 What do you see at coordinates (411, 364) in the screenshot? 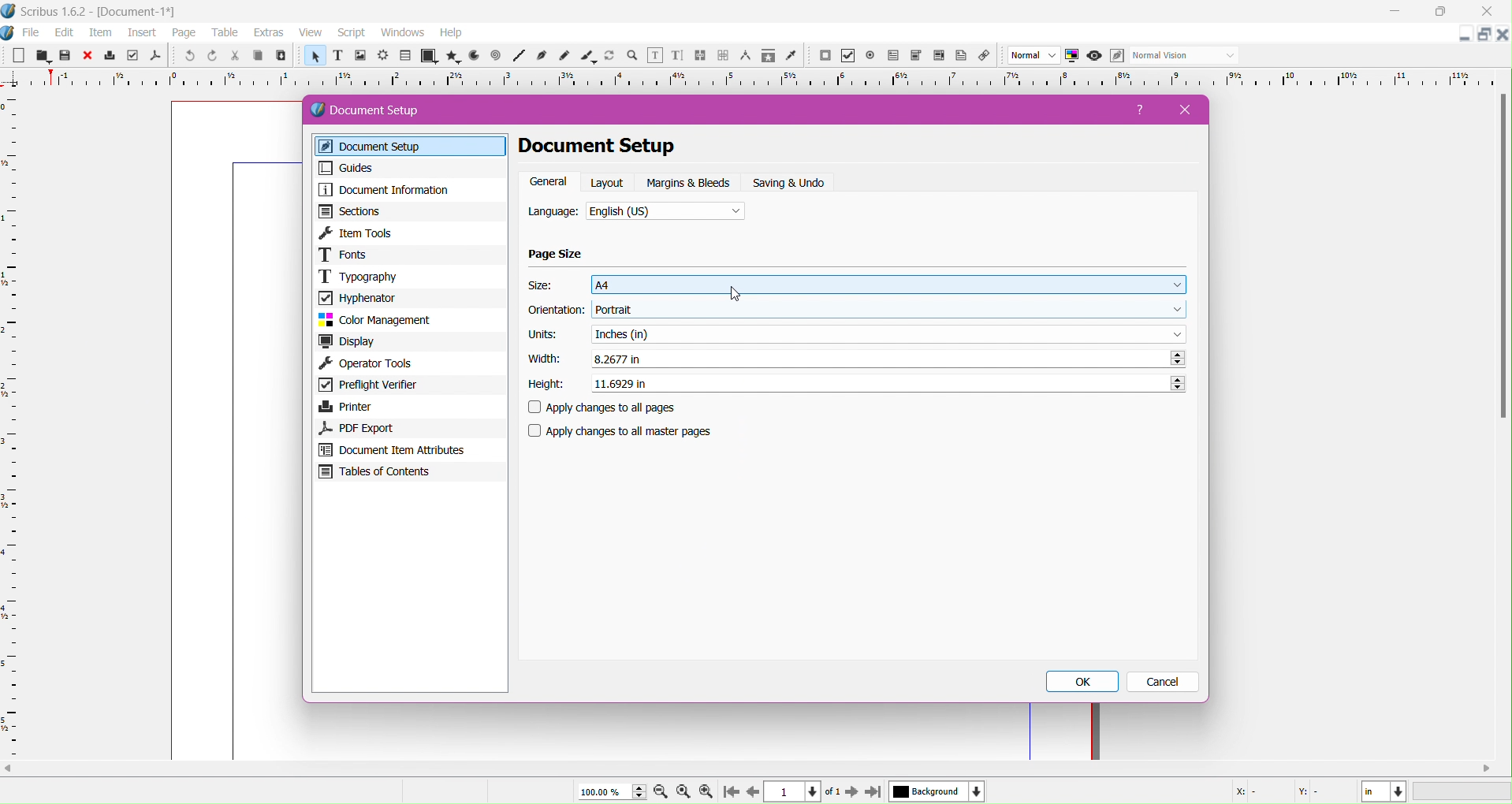
I see `Operator Tools` at bounding box center [411, 364].